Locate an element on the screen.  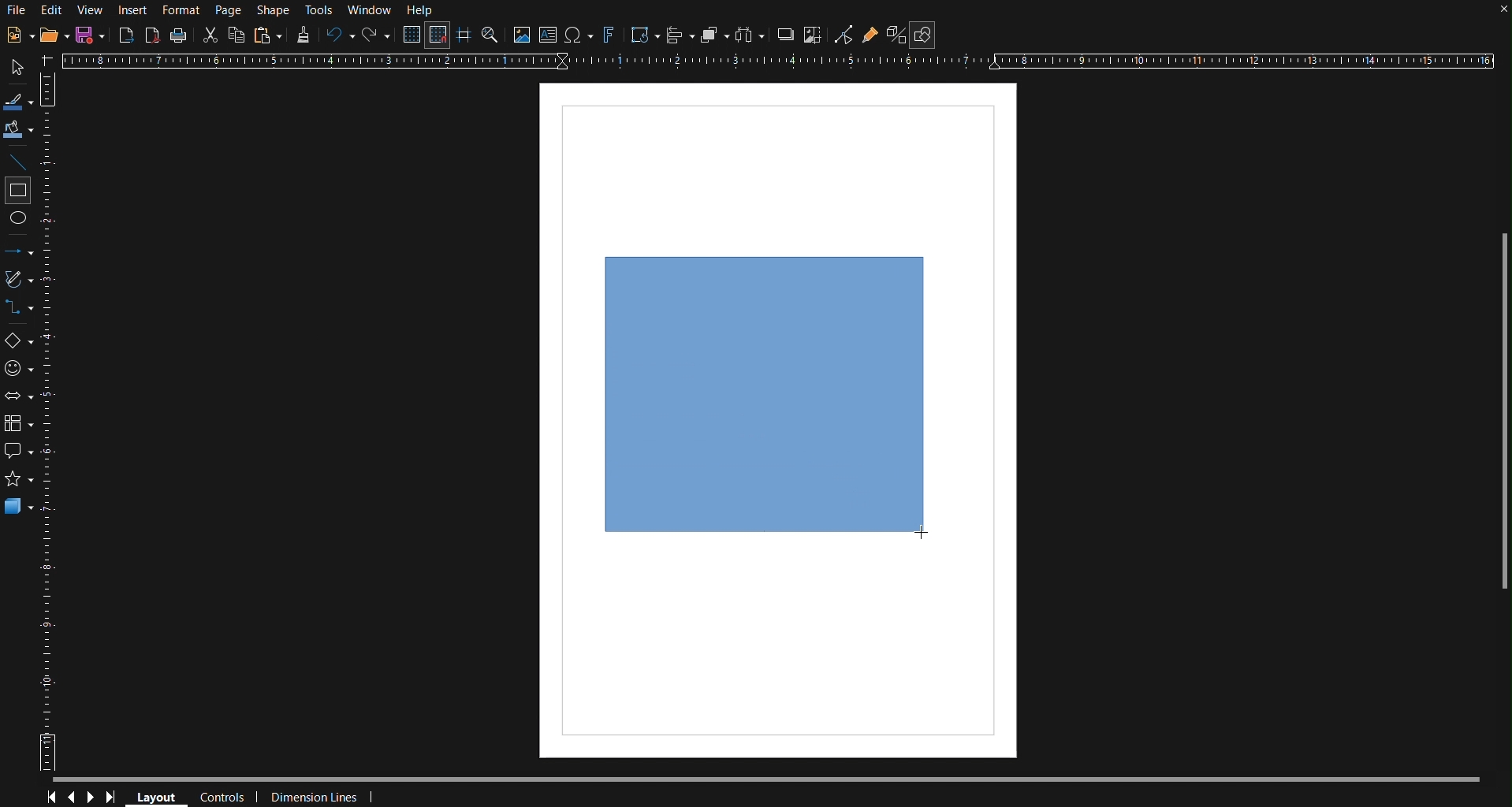
3D Objects is located at coordinates (19, 505).